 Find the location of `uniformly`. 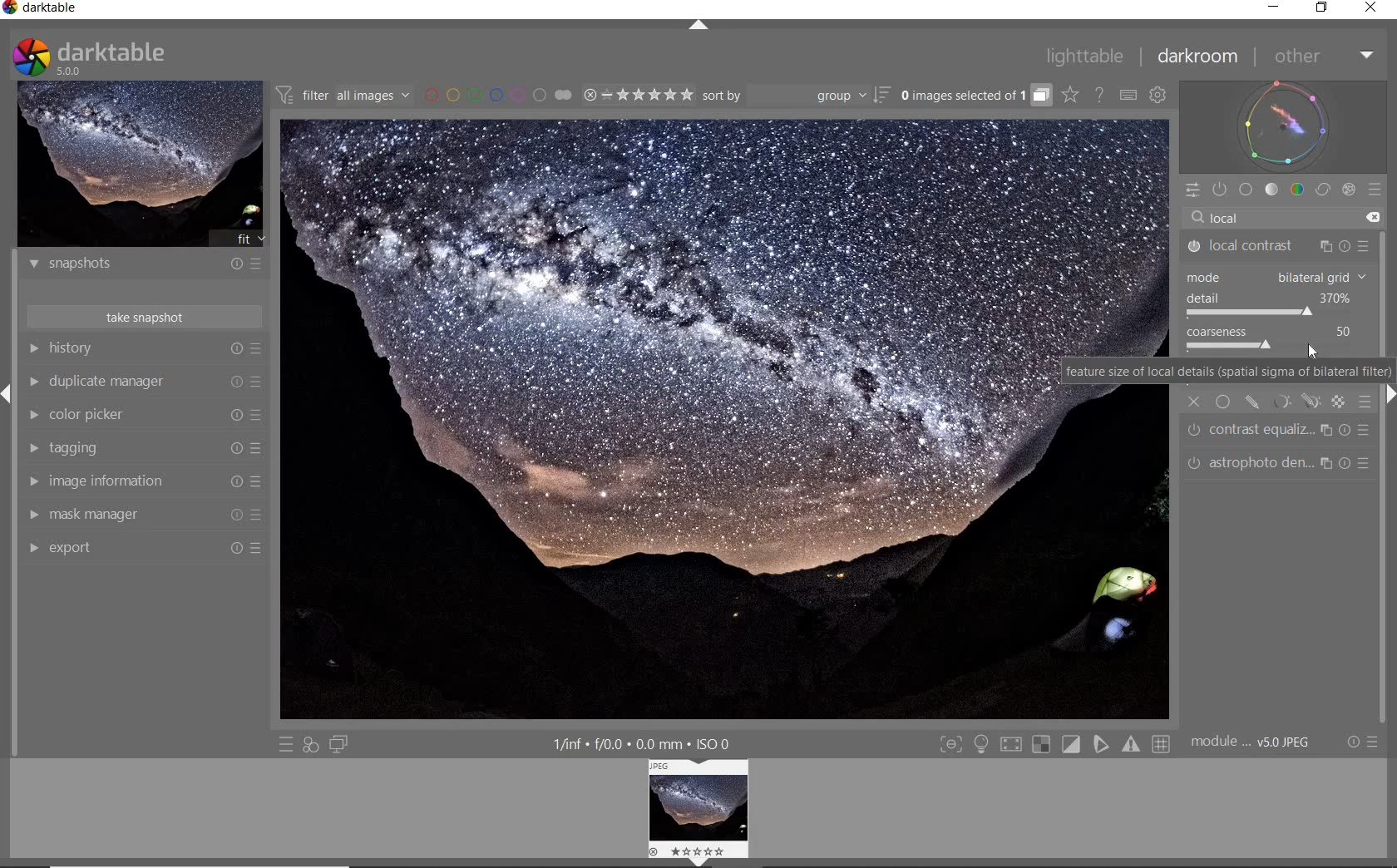

uniformly is located at coordinates (1222, 401).